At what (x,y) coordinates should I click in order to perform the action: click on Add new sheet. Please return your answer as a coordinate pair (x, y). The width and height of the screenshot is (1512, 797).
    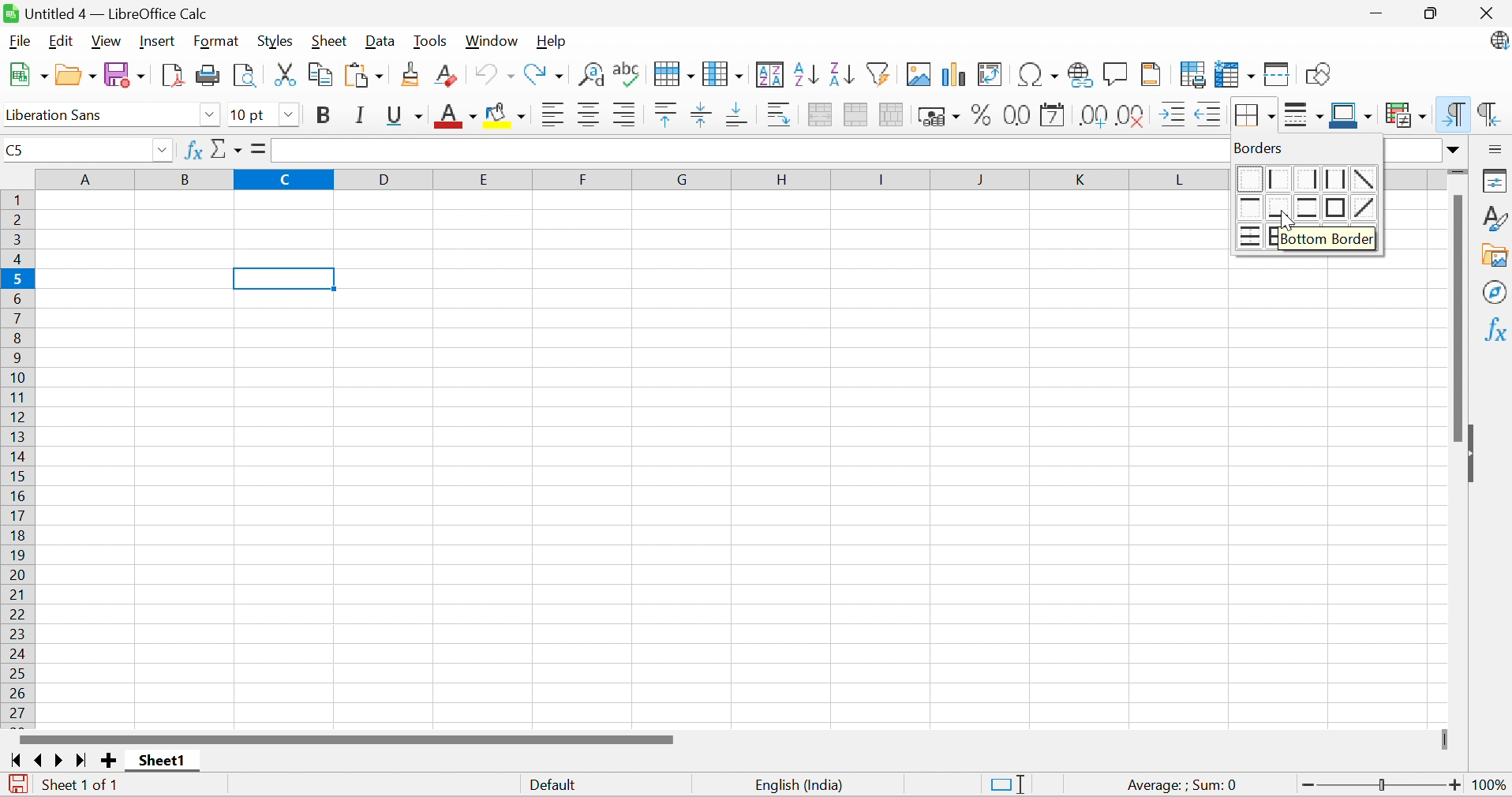
    Looking at the image, I should click on (110, 759).